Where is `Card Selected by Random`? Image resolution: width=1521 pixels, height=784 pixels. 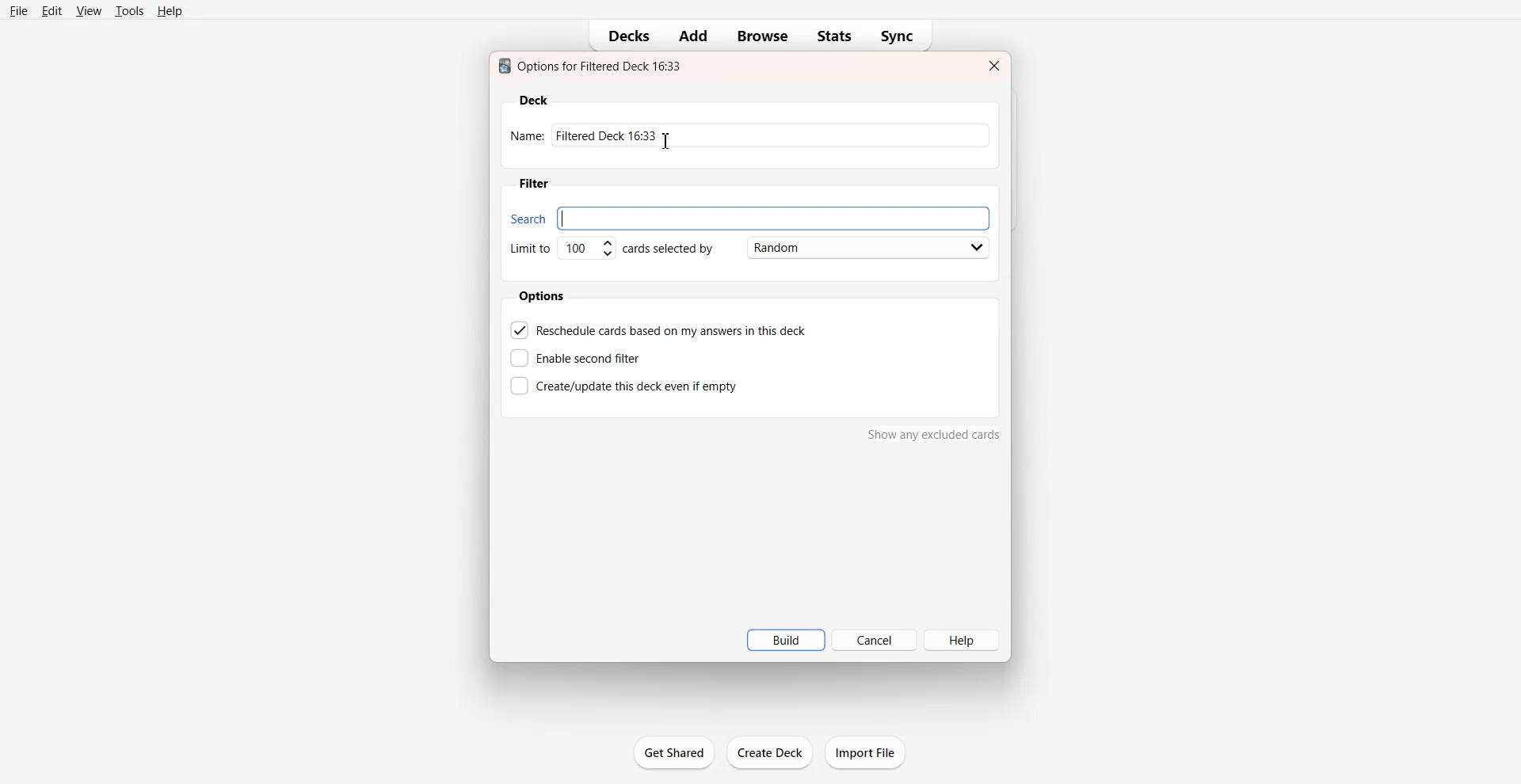
Card Selected by Random is located at coordinates (810, 247).